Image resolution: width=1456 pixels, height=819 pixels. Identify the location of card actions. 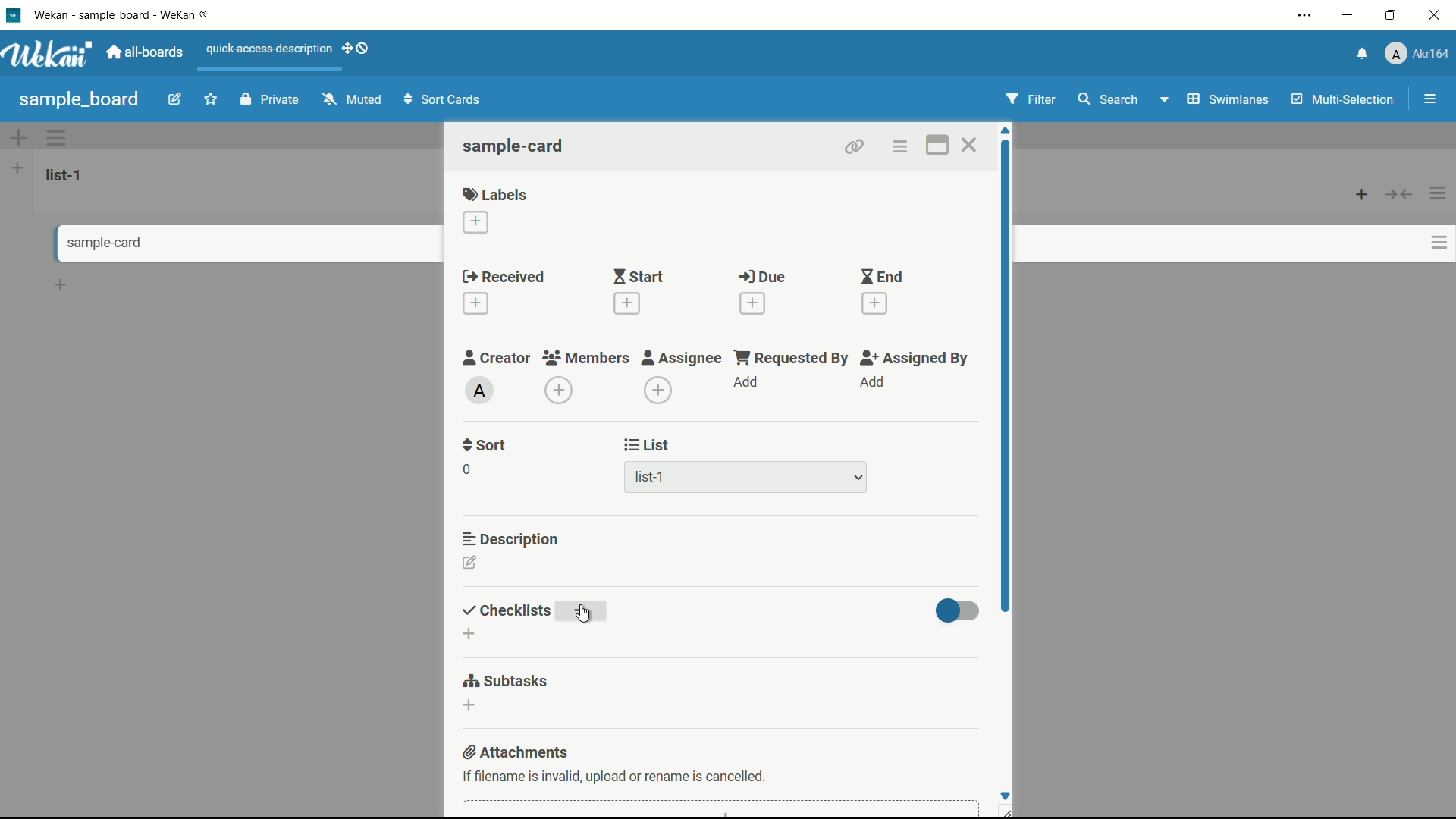
(1439, 243).